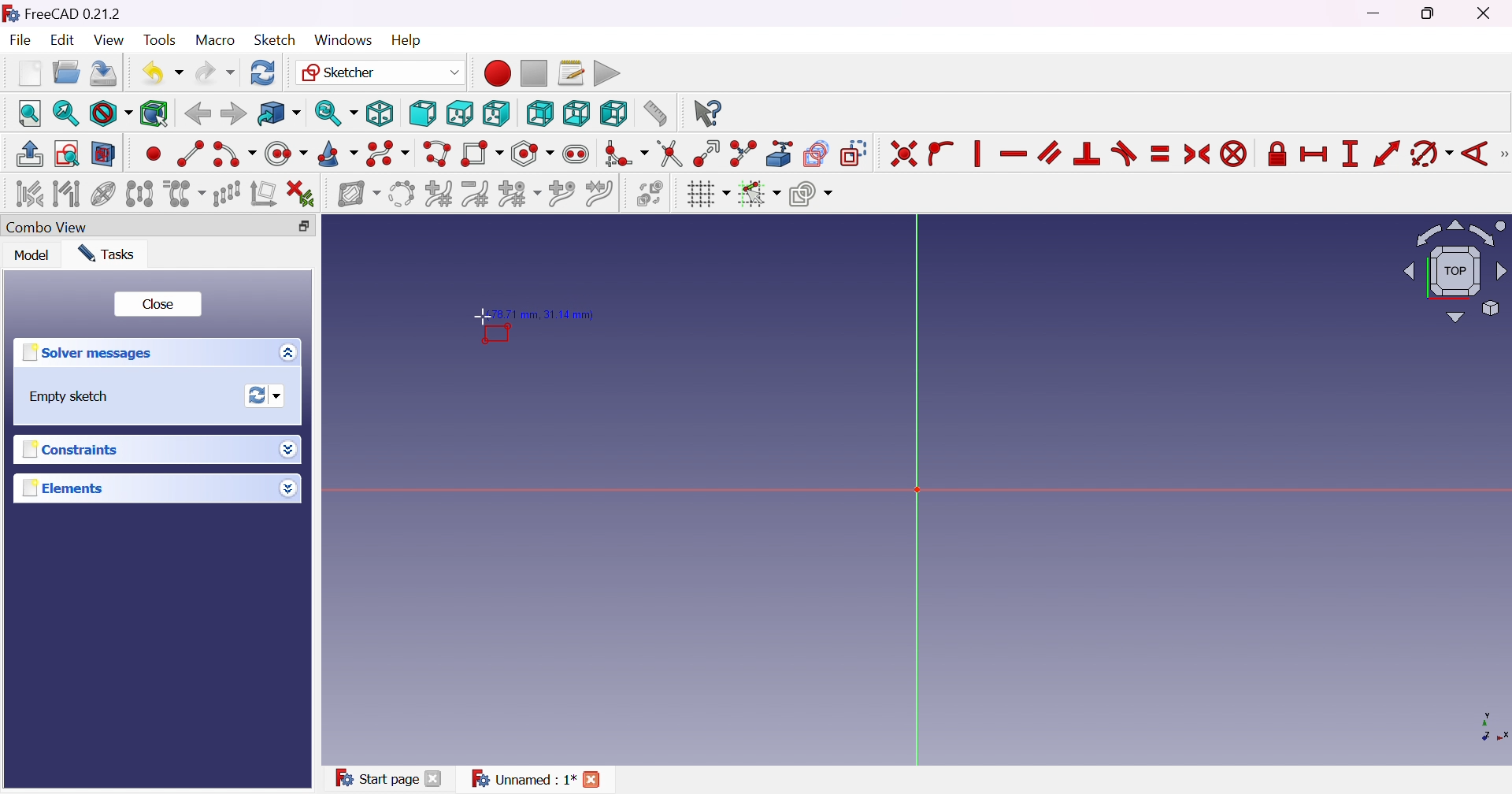 The width and height of the screenshot is (1512, 794). Describe the element at coordinates (286, 154) in the screenshot. I see `Create circle` at that location.